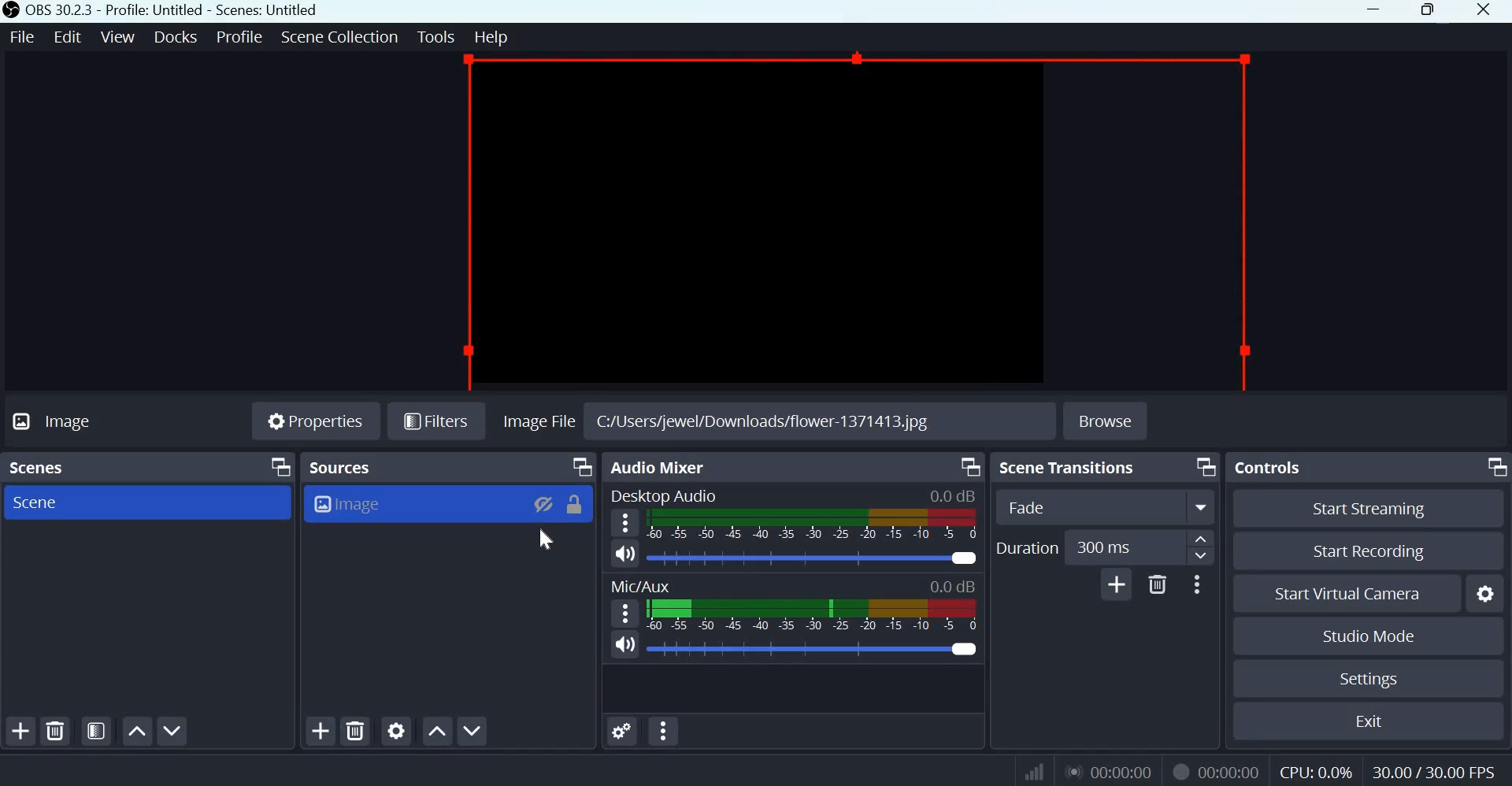 The height and width of the screenshot is (786, 1512). Describe the element at coordinates (1200, 556) in the screenshot. I see `decrease duration` at that location.